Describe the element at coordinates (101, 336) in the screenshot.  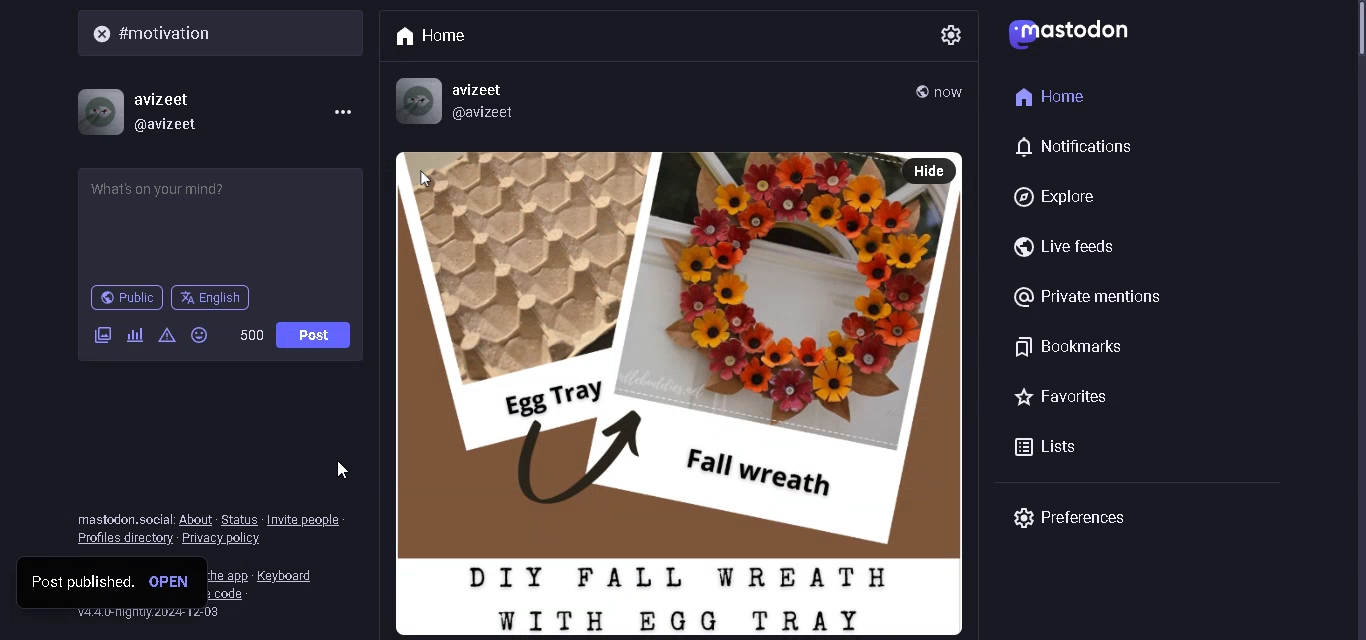
I see `add image` at that location.